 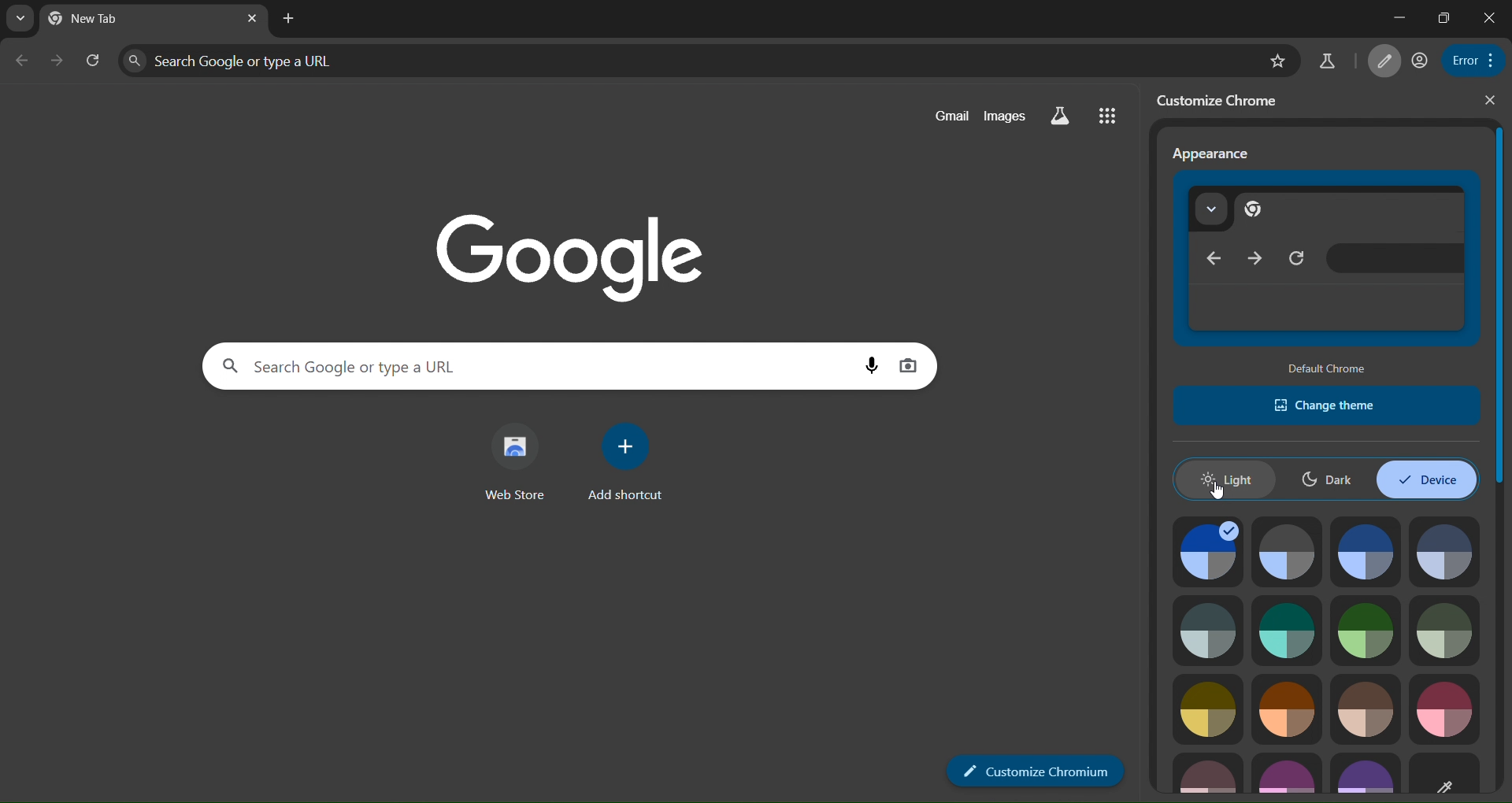 What do you see at coordinates (1443, 709) in the screenshot?
I see `image` at bounding box center [1443, 709].